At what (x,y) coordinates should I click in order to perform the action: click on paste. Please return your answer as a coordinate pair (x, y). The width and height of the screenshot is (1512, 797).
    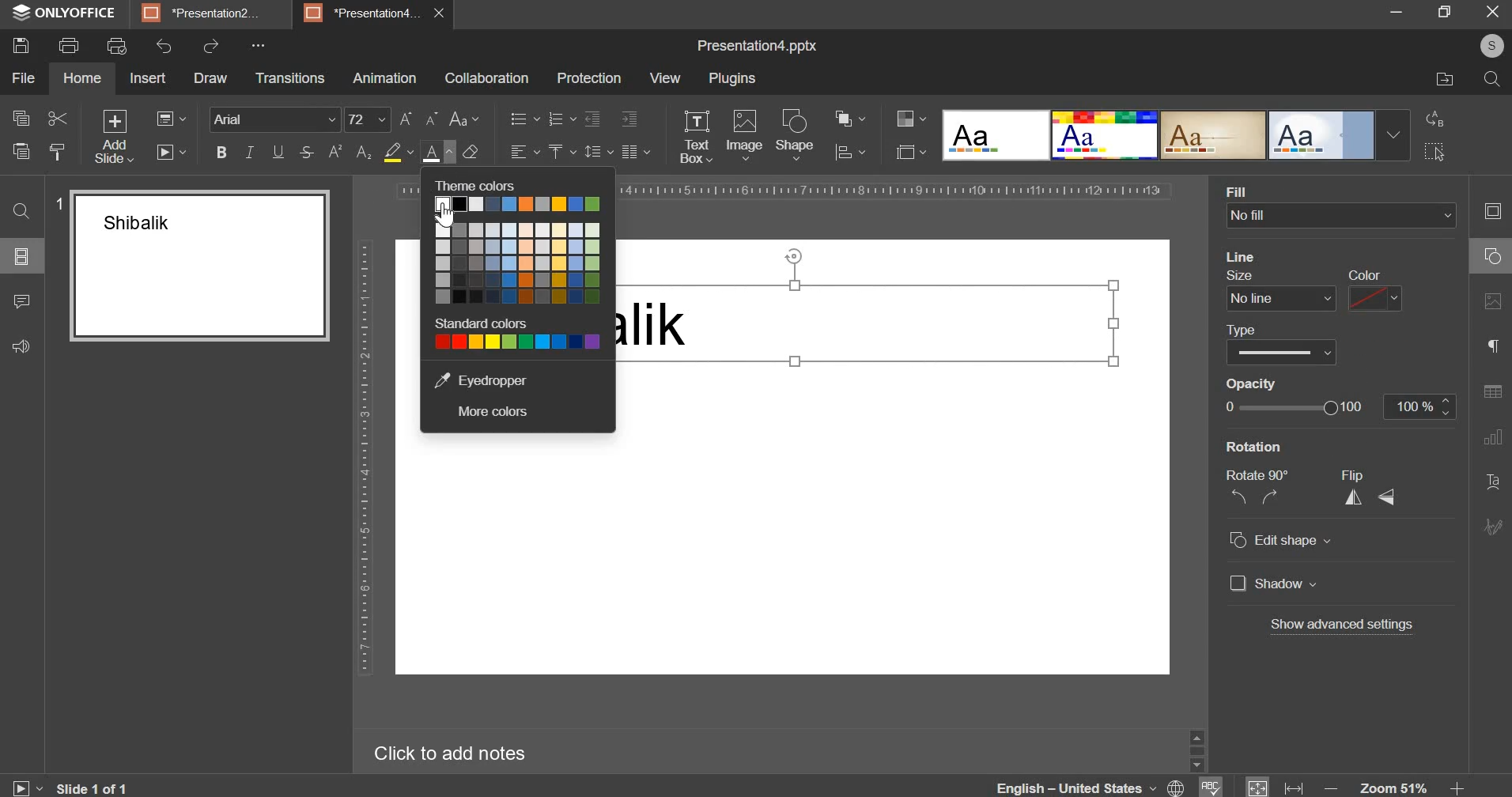
    Looking at the image, I should click on (20, 150).